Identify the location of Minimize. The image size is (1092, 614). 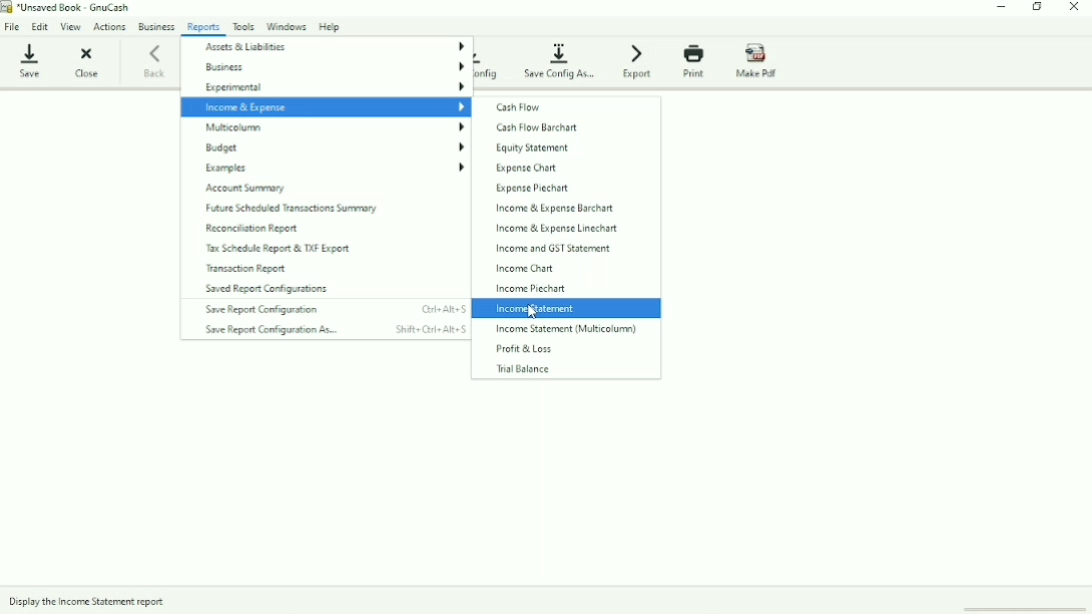
(1004, 8).